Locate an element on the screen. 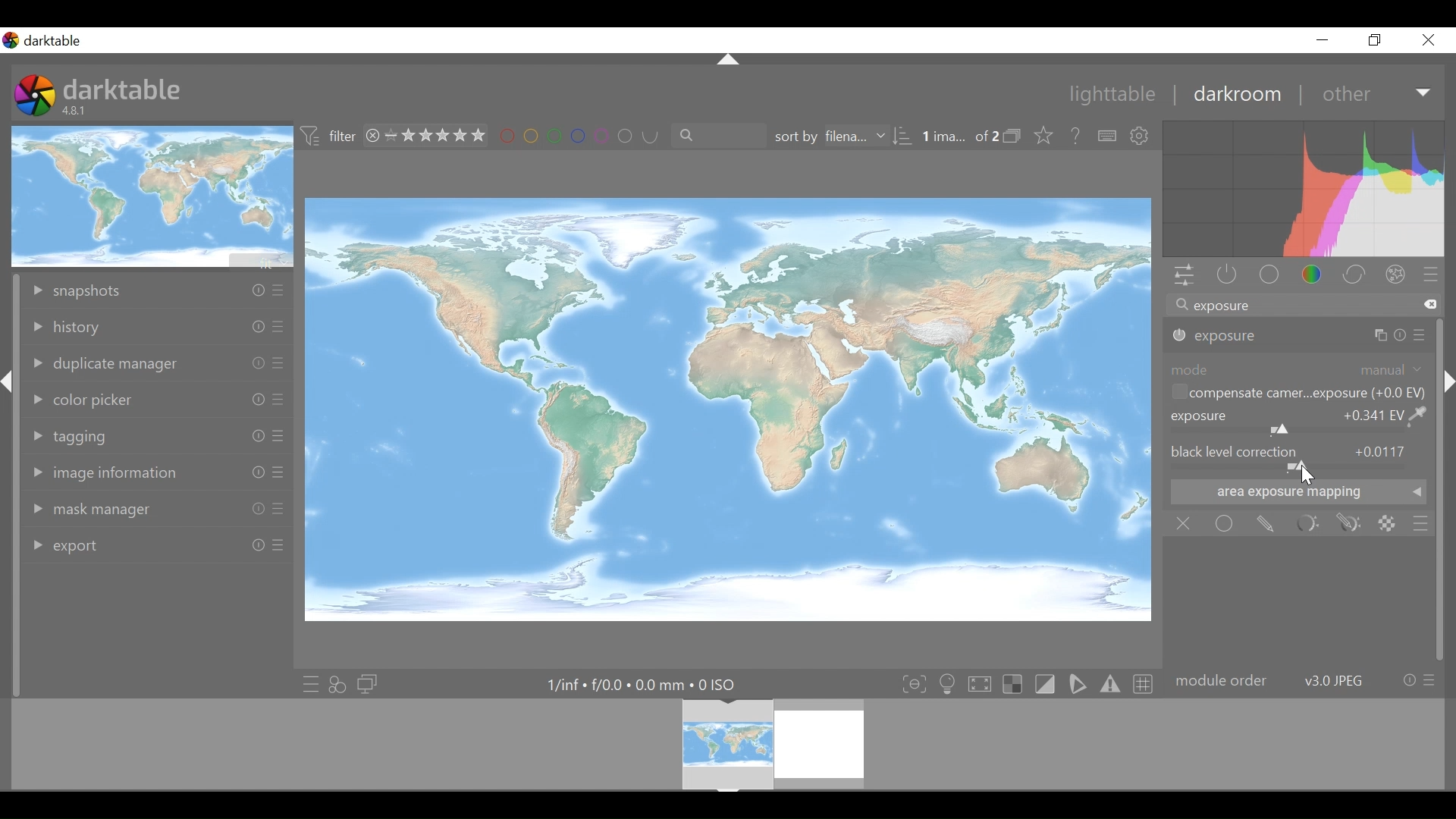 This screenshot has height=819, width=1456. toggle high quality processing is located at coordinates (979, 684).